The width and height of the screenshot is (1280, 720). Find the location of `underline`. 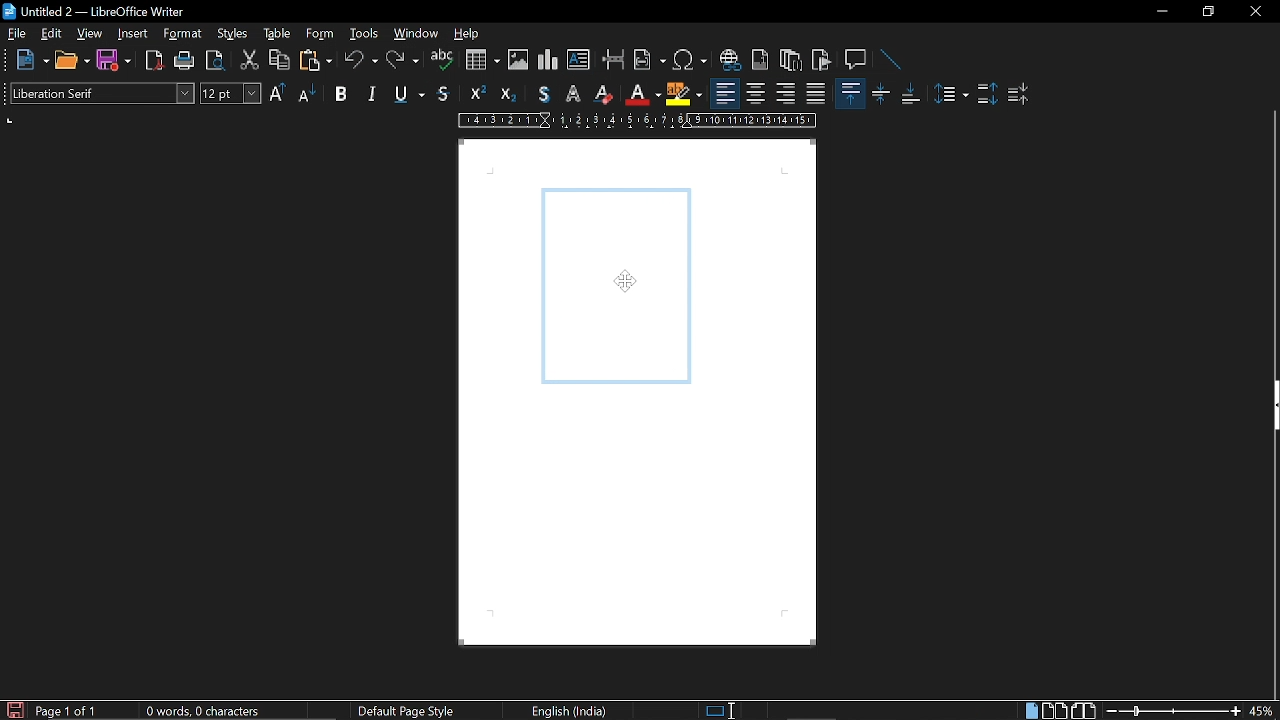

underline is located at coordinates (406, 94).